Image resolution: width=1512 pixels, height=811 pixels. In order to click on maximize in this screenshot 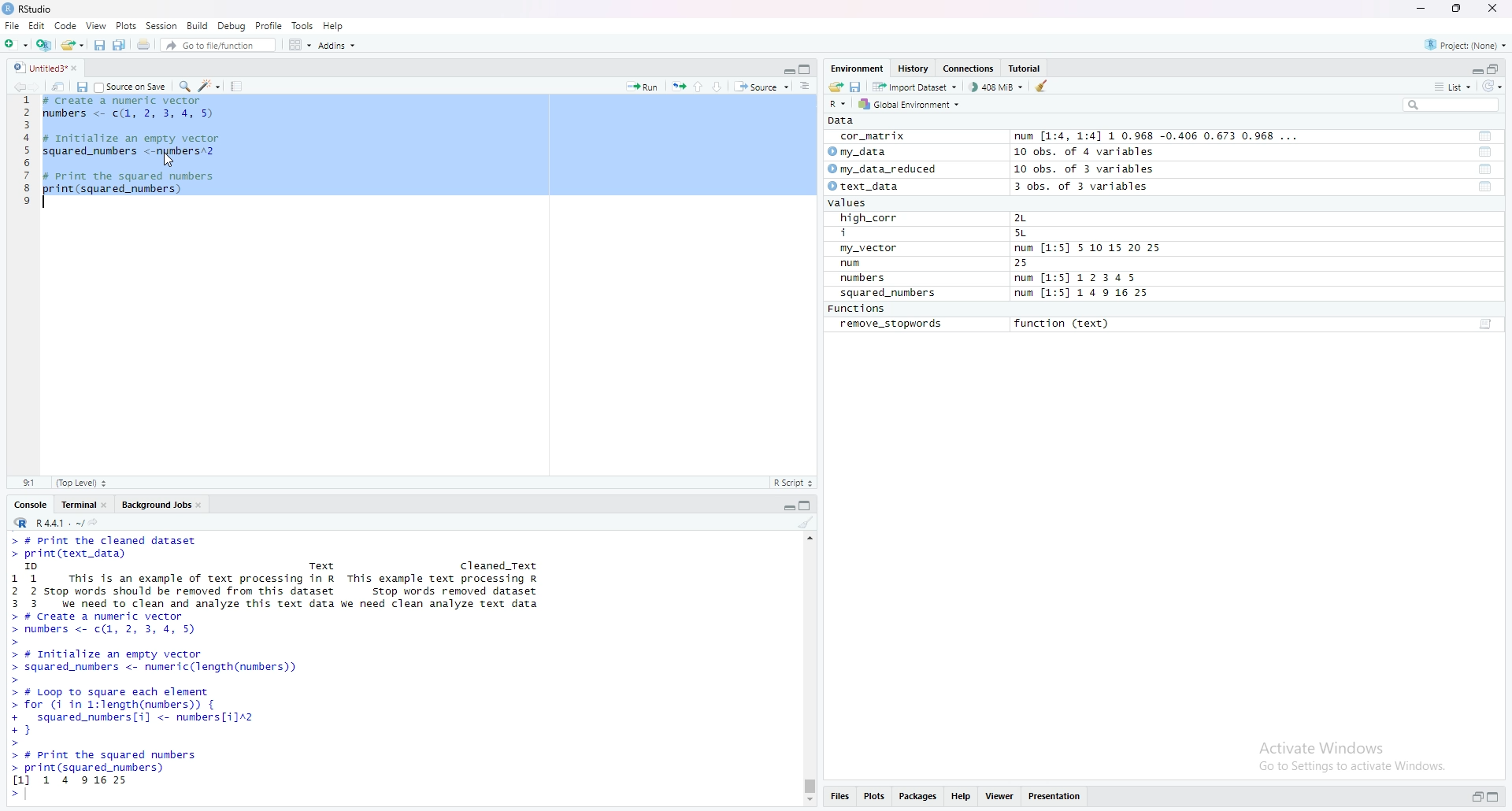, I will do `click(1495, 68)`.